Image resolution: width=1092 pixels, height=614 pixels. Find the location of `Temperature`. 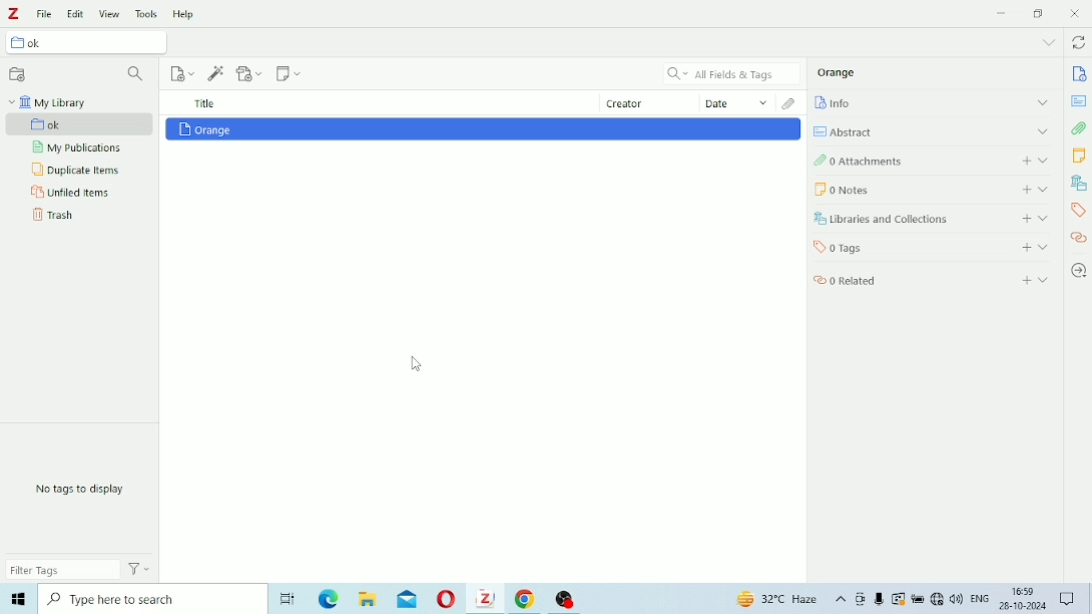

Temperature is located at coordinates (779, 600).